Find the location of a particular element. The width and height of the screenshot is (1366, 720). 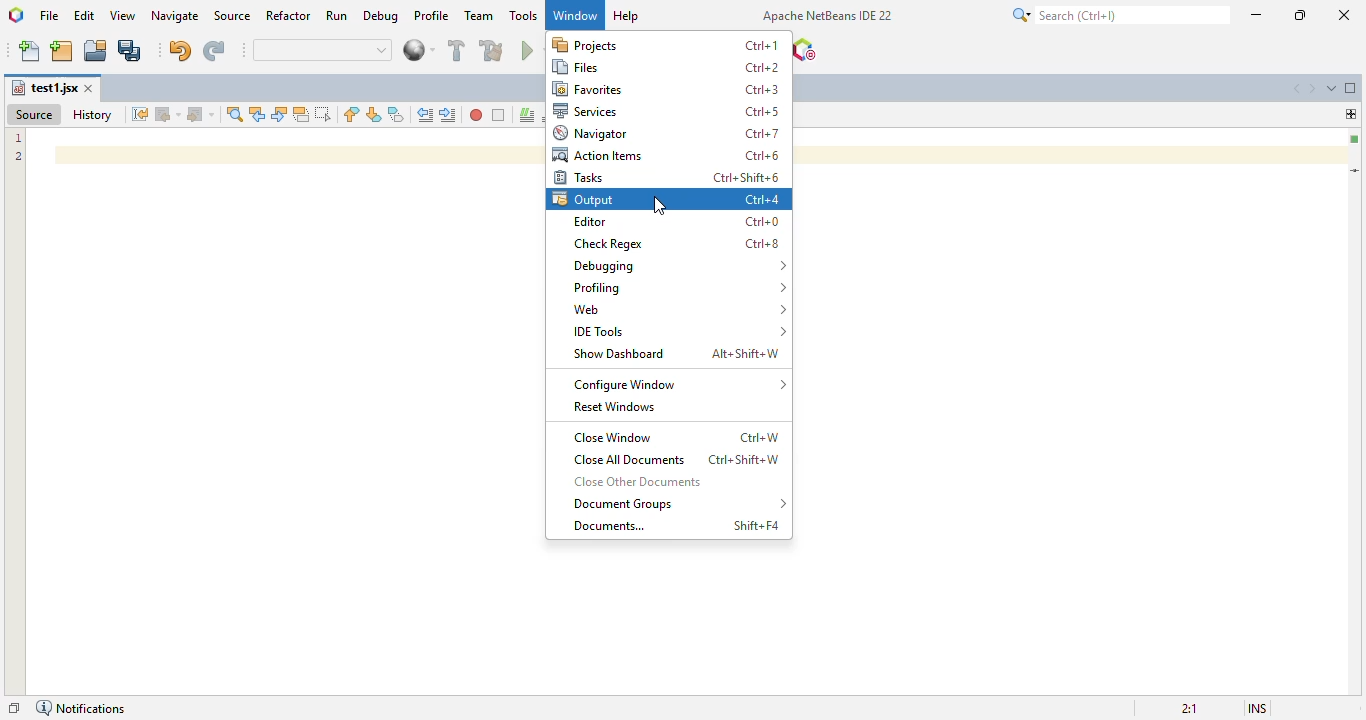

close window Ctrl + W is located at coordinates (680, 435).